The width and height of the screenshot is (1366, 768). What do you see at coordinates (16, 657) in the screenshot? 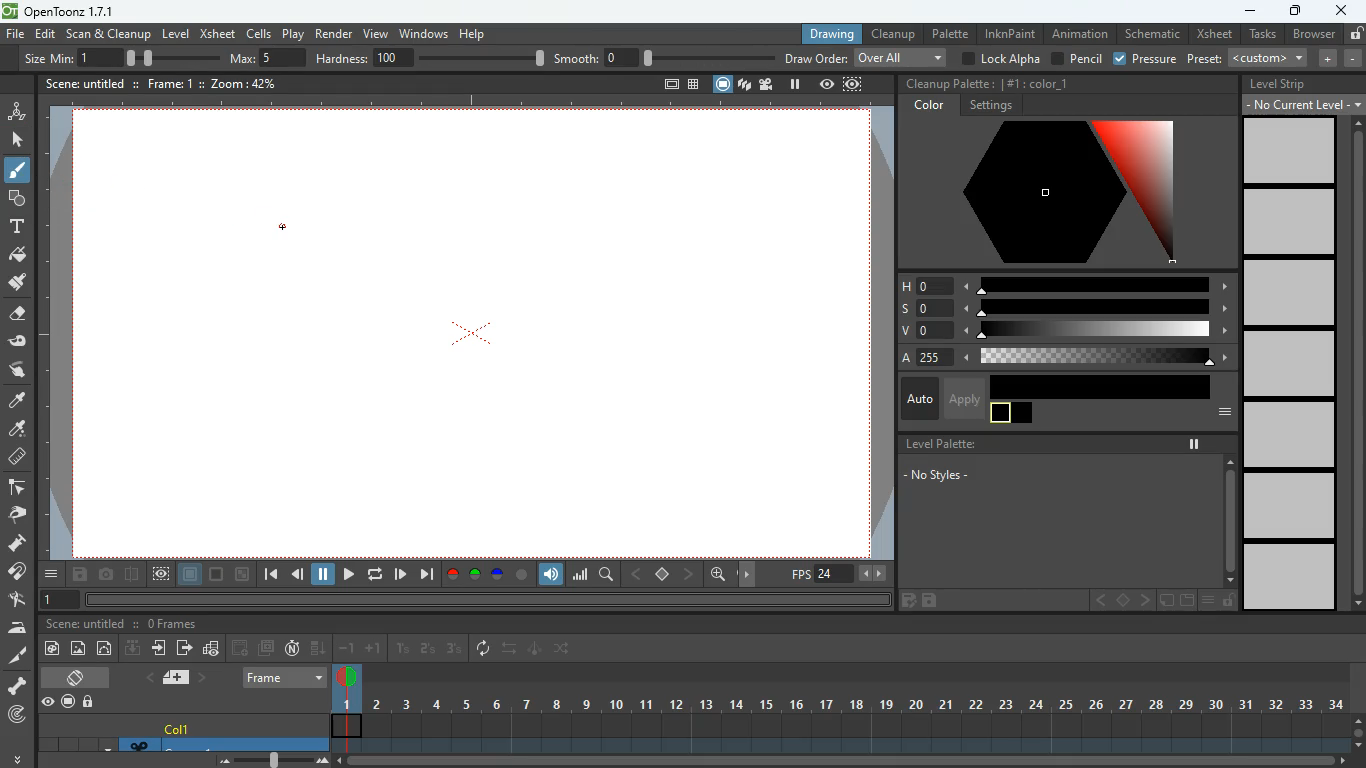
I see `cut` at bounding box center [16, 657].